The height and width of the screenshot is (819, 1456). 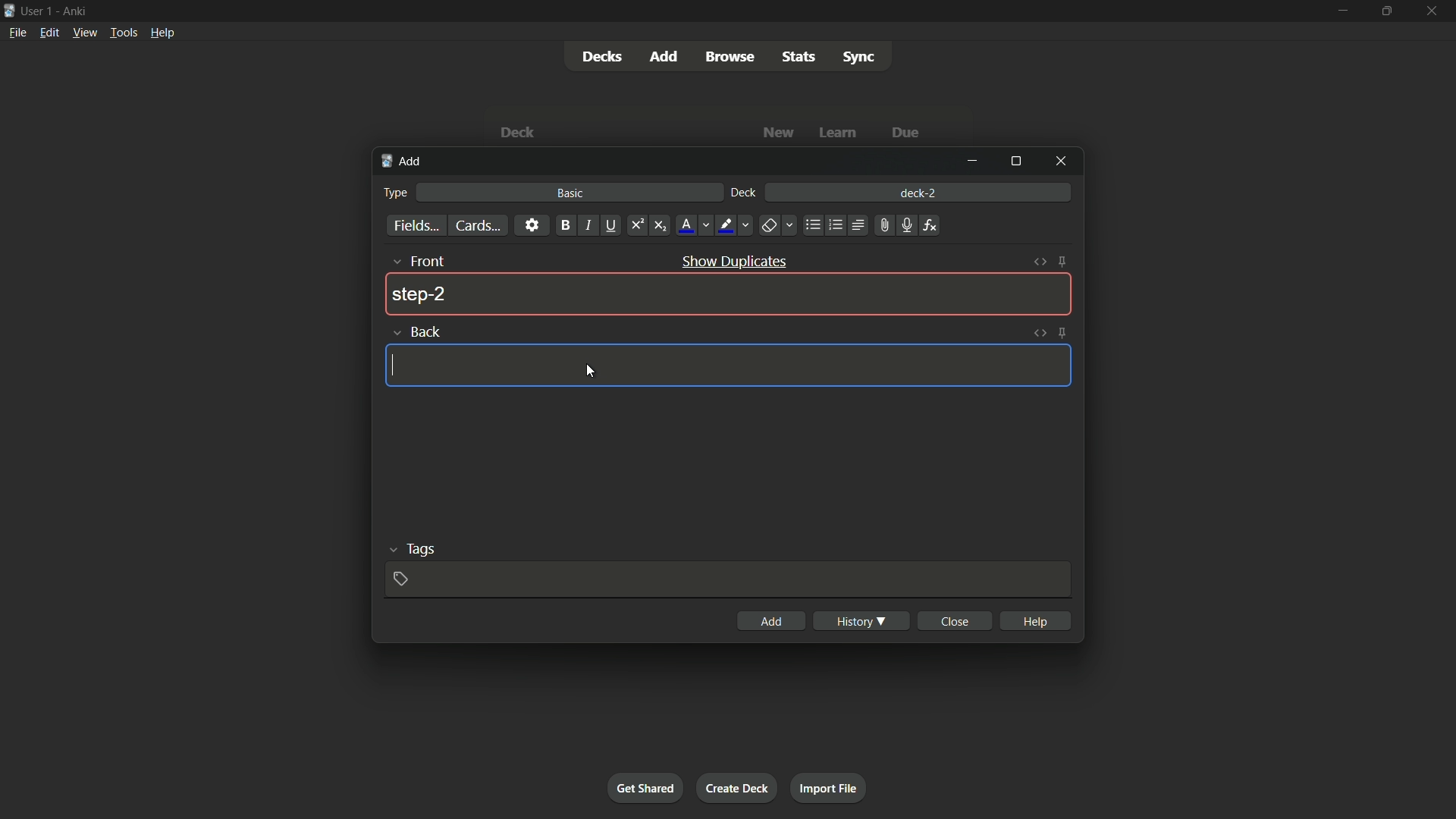 What do you see at coordinates (407, 549) in the screenshot?
I see `tags` at bounding box center [407, 549].